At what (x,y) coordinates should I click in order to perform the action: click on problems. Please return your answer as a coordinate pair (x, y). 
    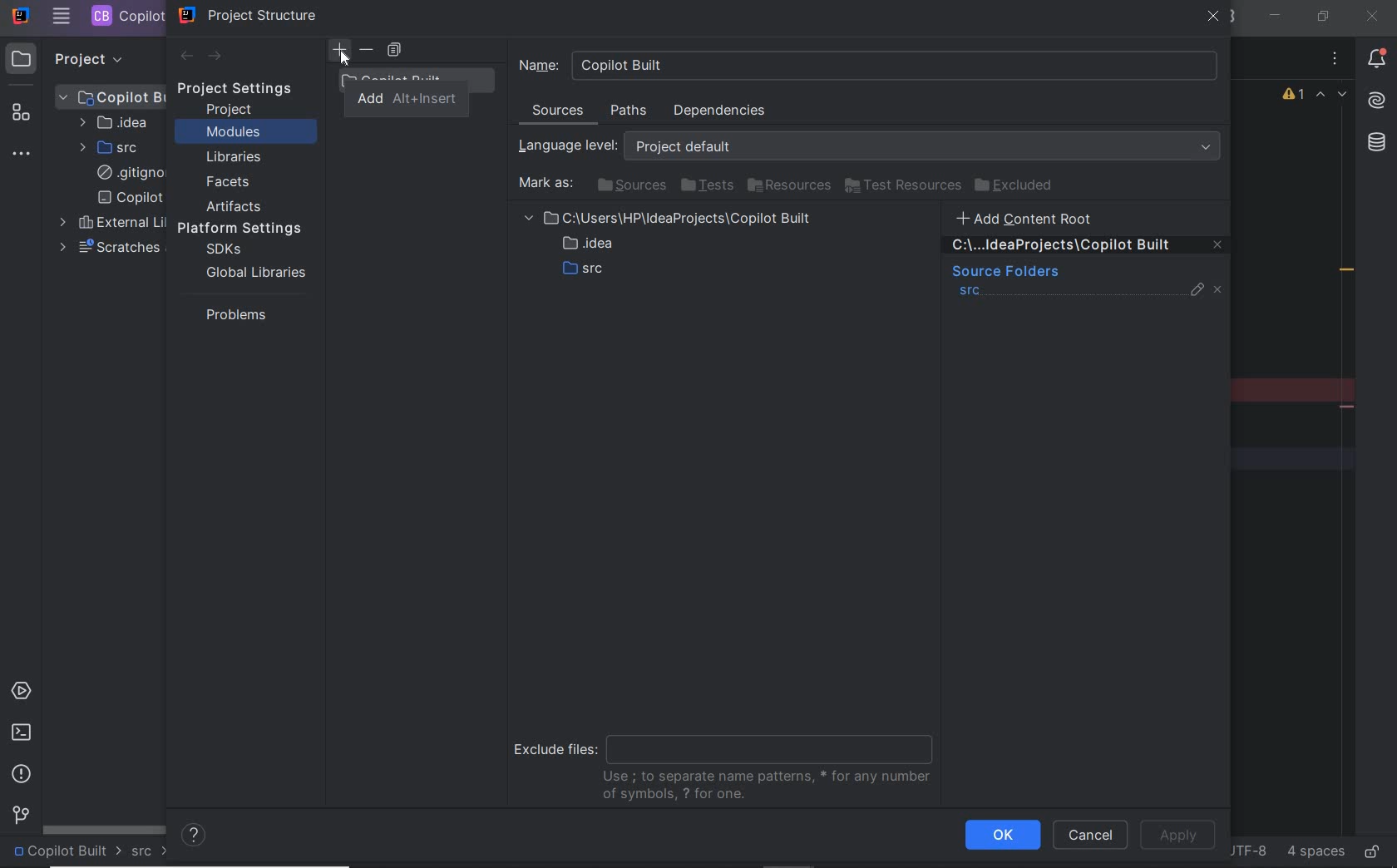
    Looking at the image, I should click on (232, 314).